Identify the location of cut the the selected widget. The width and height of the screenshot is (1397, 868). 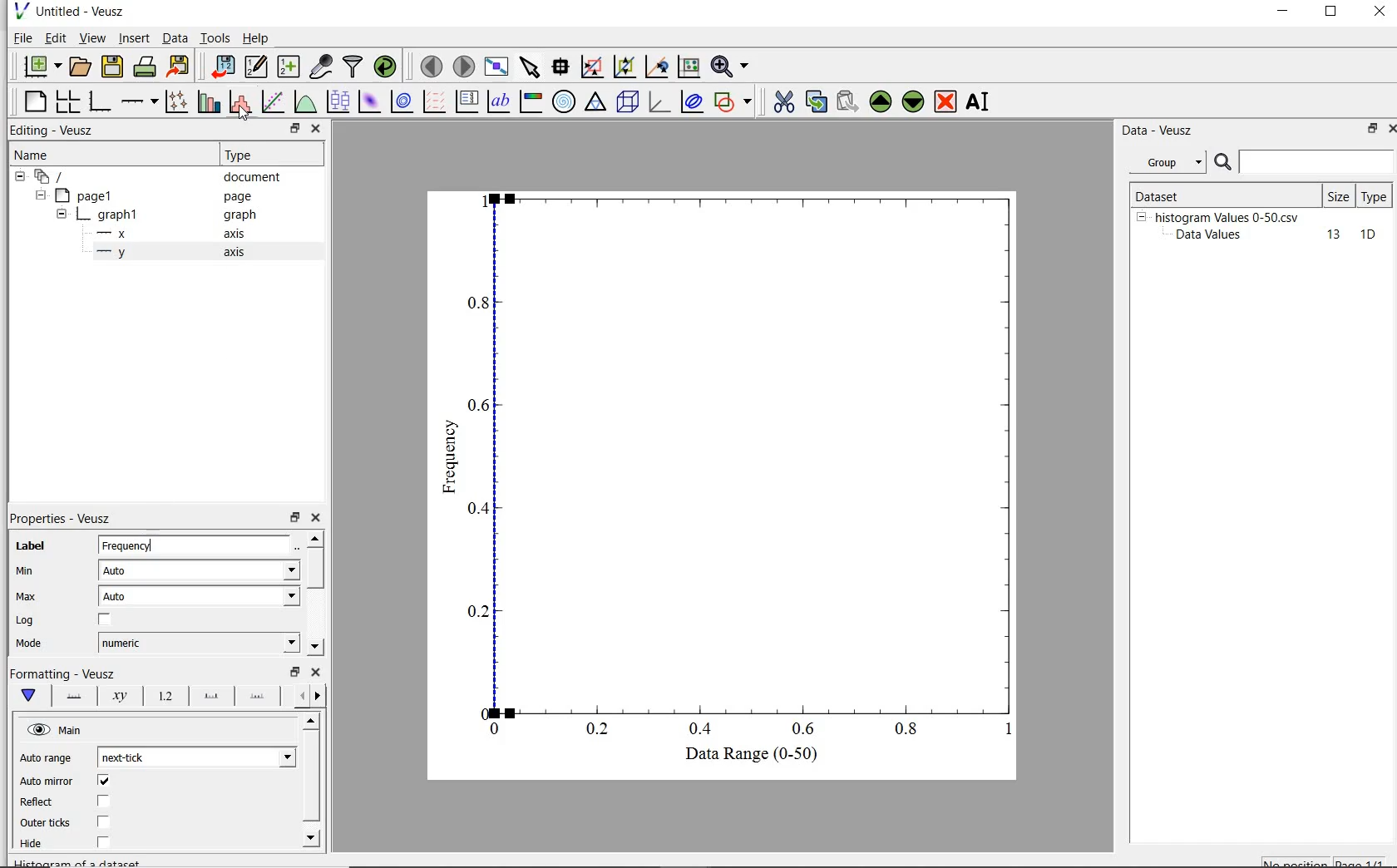
(782, 104).